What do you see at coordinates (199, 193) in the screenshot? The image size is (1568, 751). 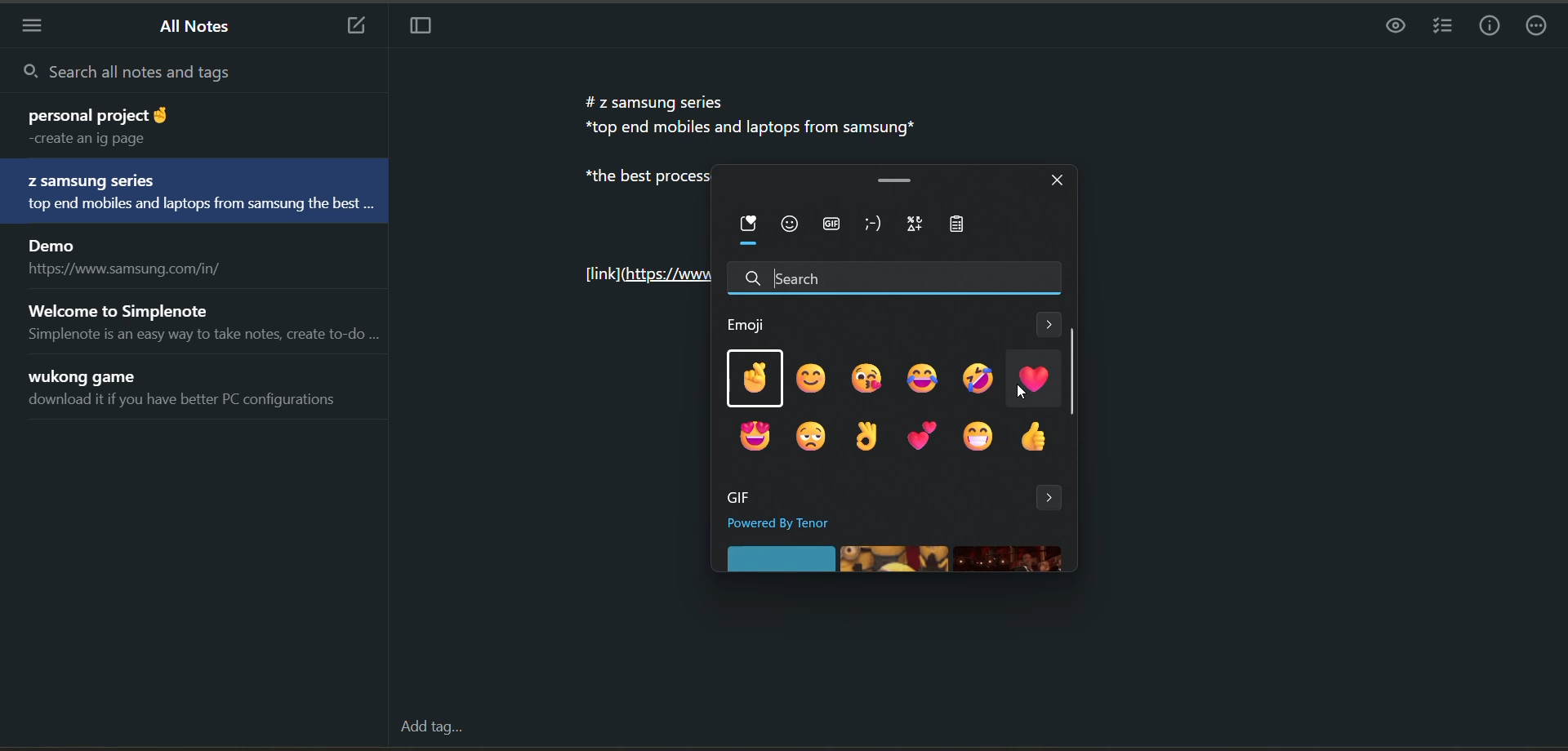 I see `note title and preview` at bounding box center [199, 193].